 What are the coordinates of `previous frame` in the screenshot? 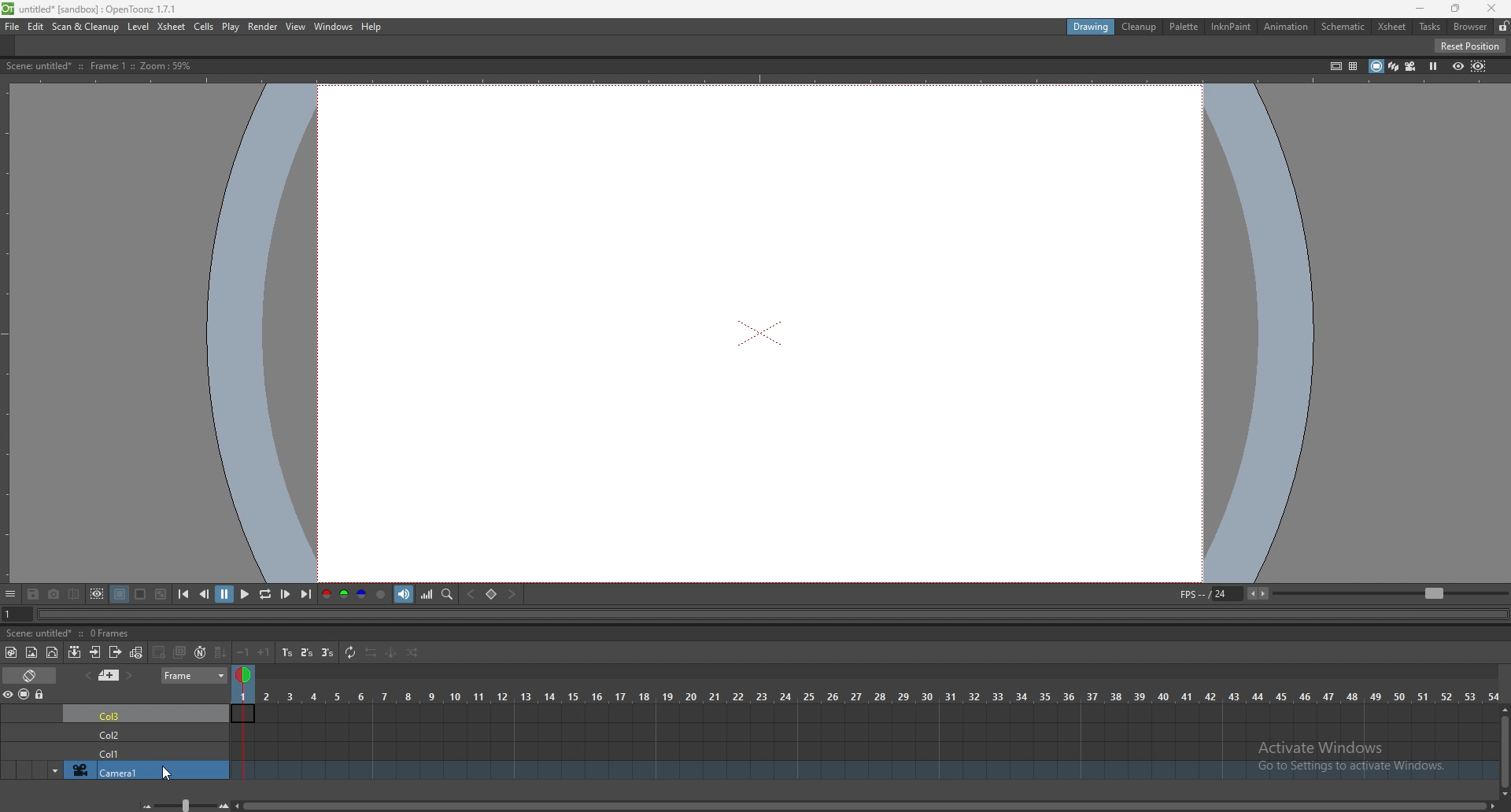 It's located at (205, 594).